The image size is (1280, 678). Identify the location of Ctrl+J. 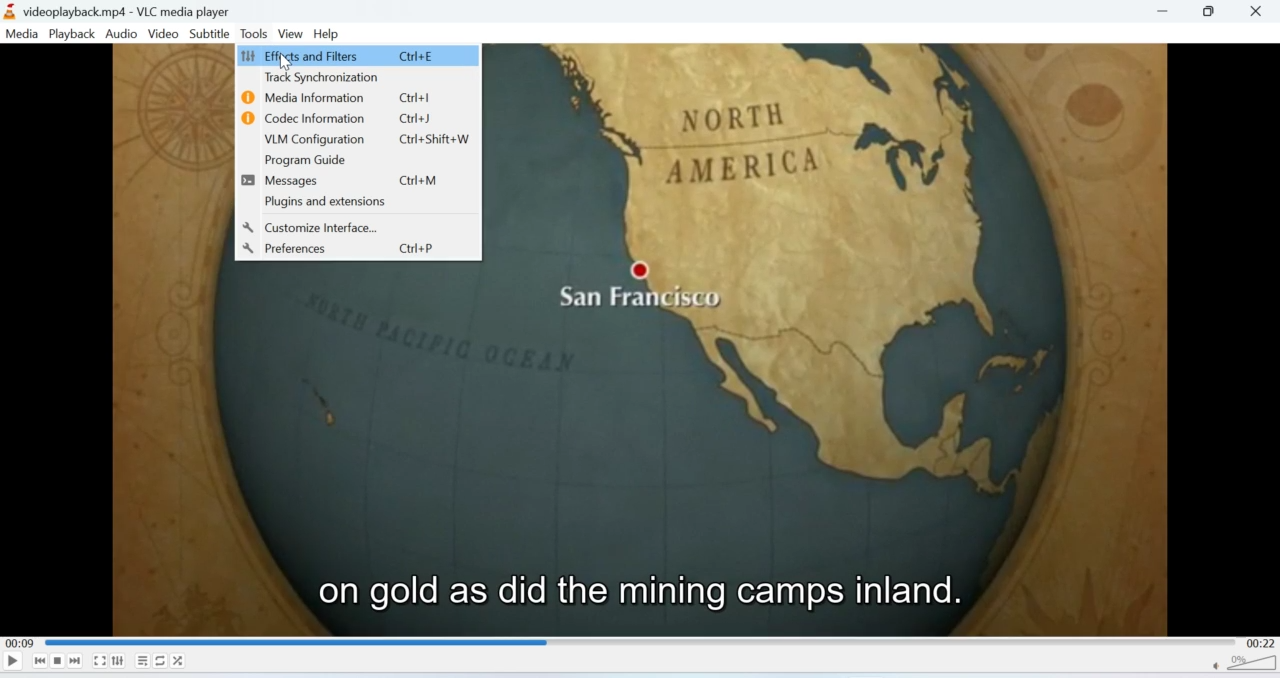
(415, 116).